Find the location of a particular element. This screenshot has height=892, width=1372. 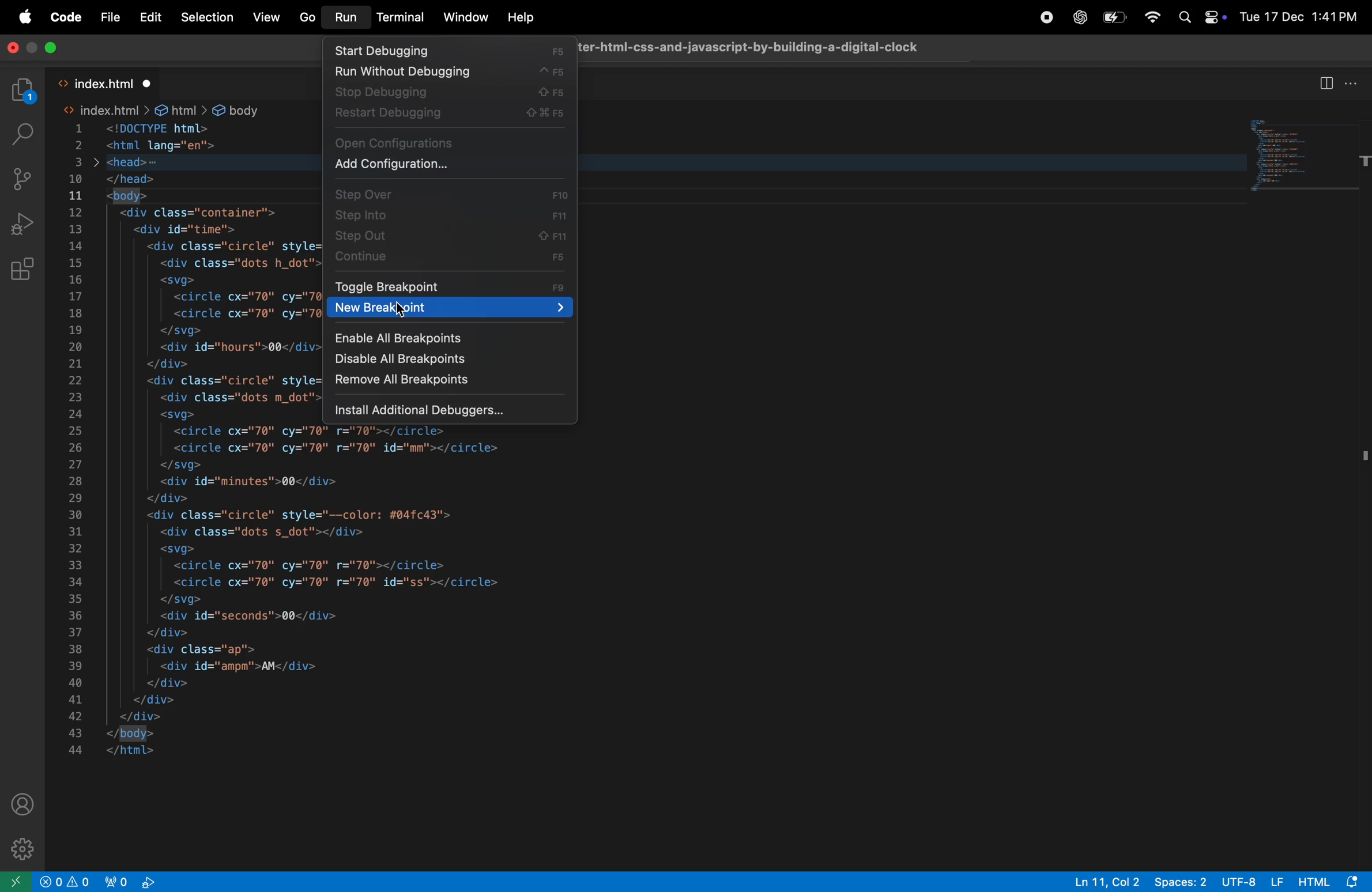

remove all break points is located at coordinates (444, 384).